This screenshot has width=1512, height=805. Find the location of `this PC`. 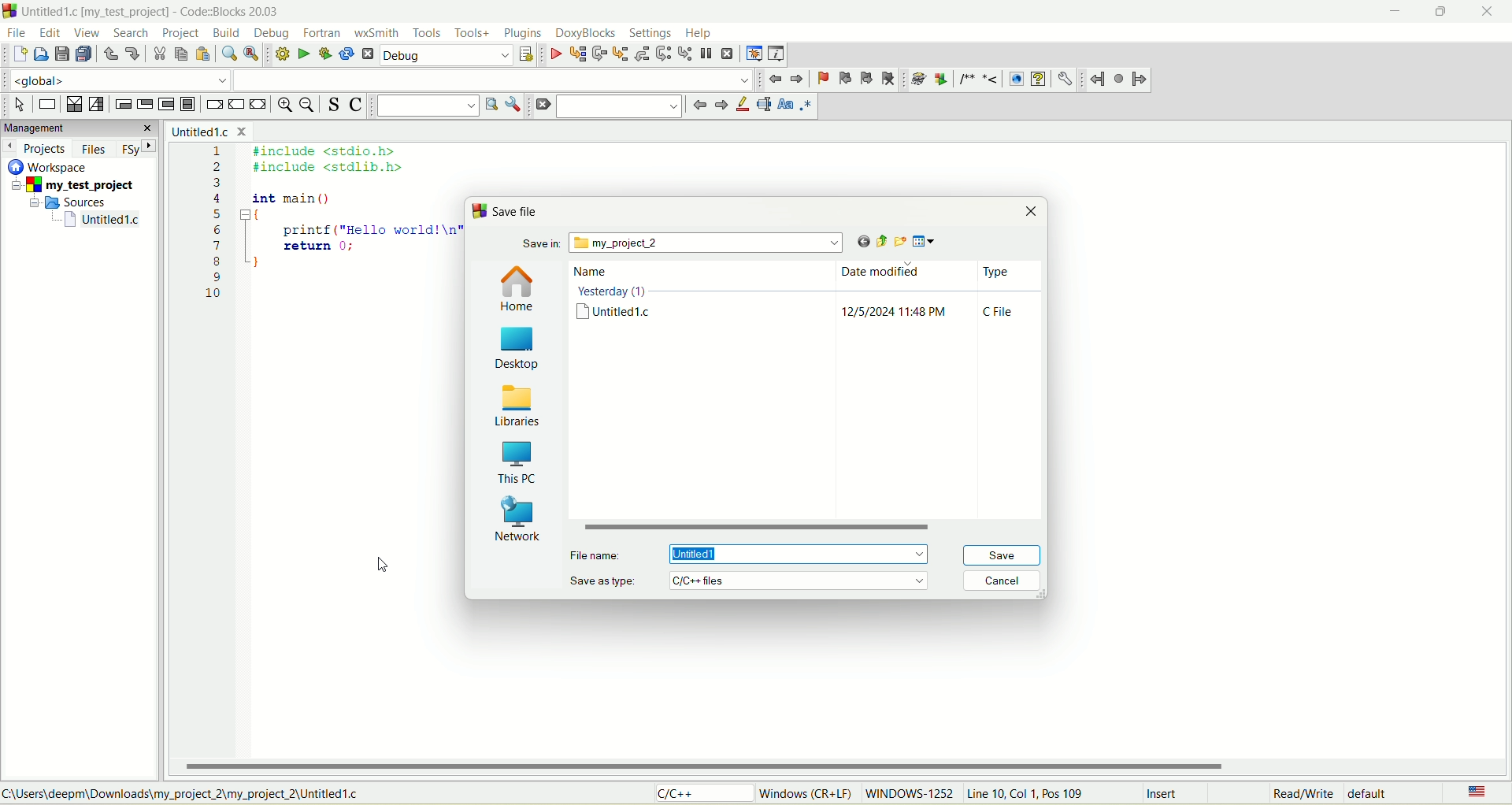

this PC is located at coordinates (519, 461).